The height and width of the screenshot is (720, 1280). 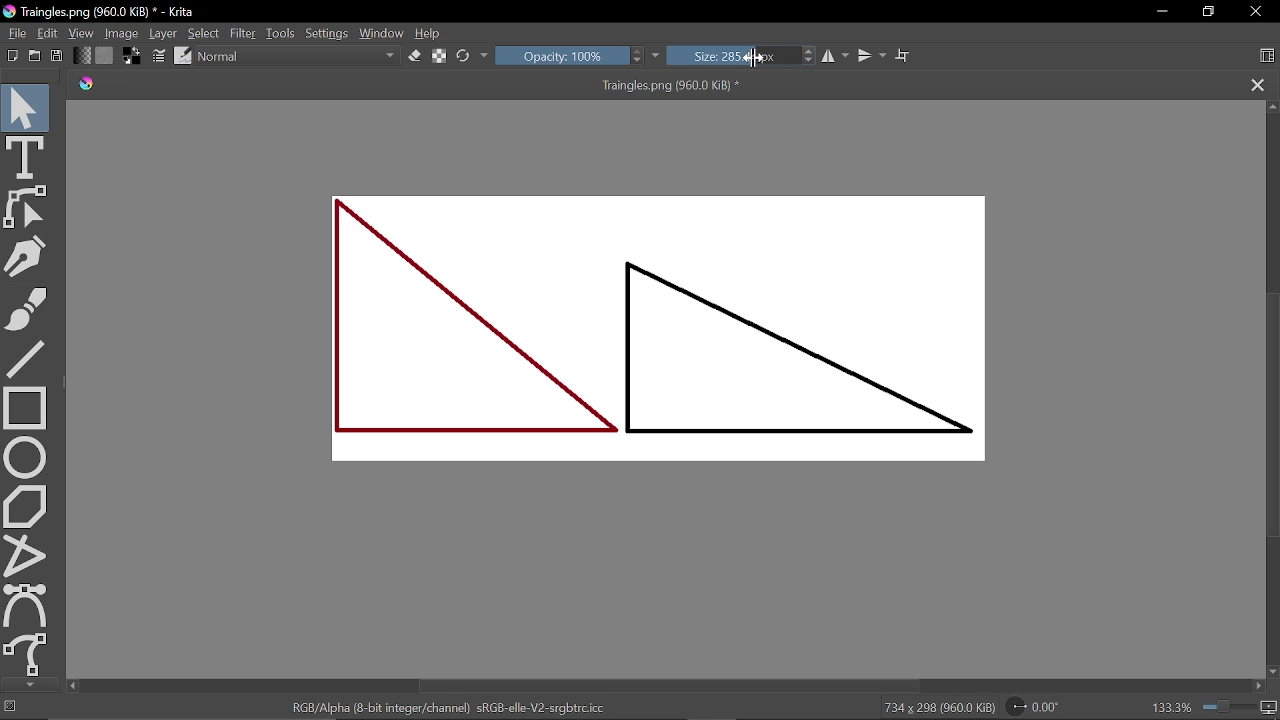 What do you see at coordinates (733, 55) in the screenshot?
I see `Size: 285.44 px` at bounding box center [733, 55].